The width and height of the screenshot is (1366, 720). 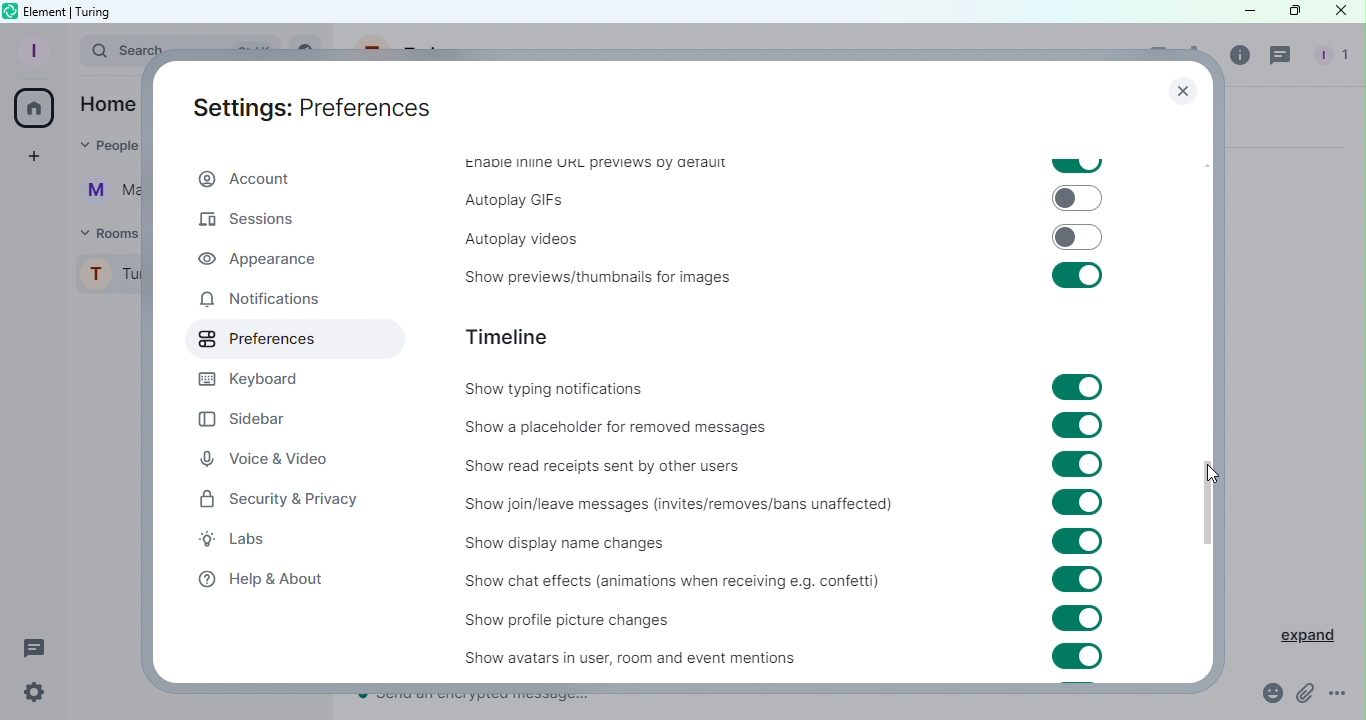 What do you see at coordinates (1079, 465) in the screenshot?
I see `Toggle` at bounding box center [1079, 465].